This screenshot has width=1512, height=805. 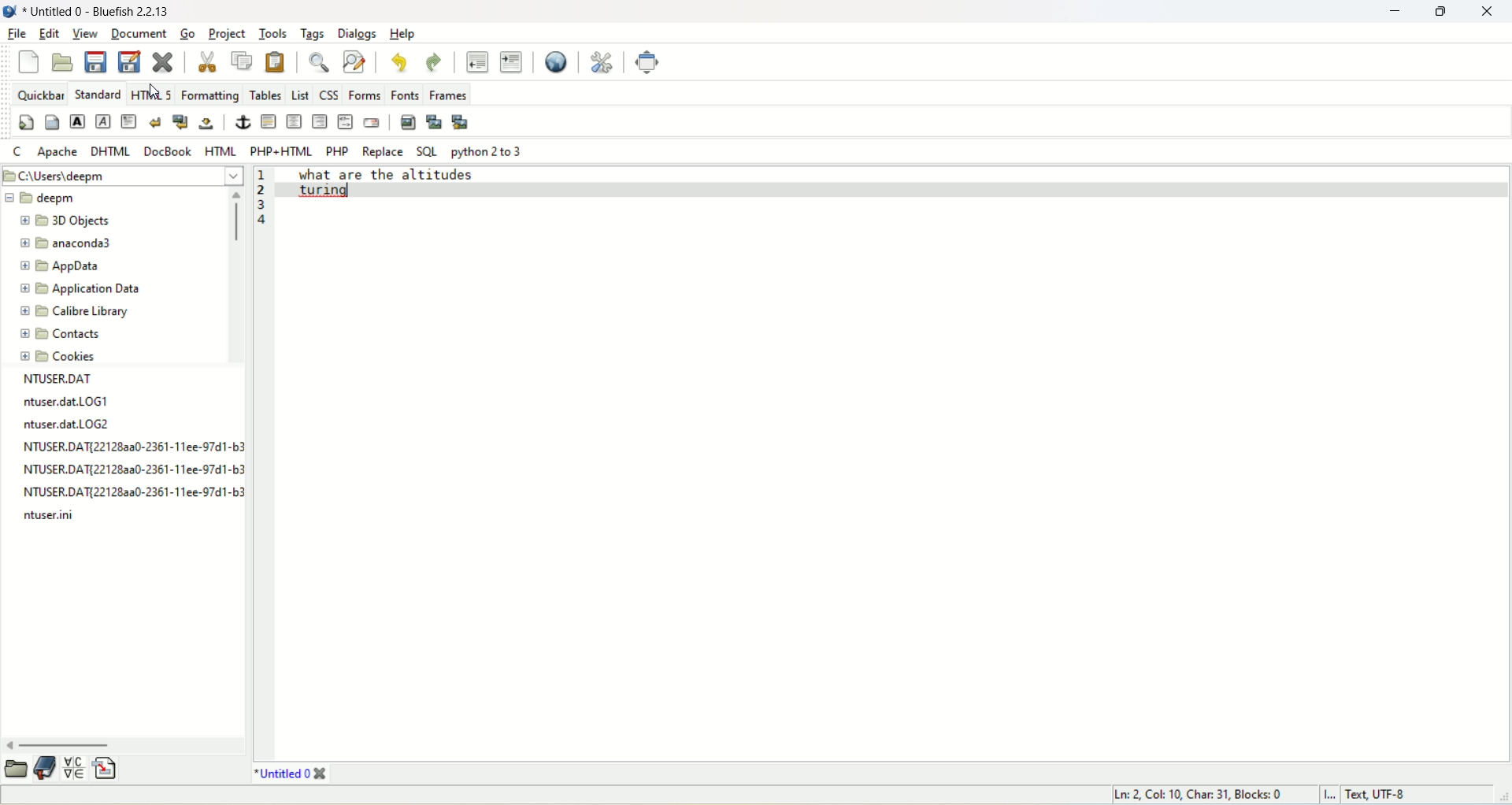 I want to click on copy, so click(x=243, y=60).